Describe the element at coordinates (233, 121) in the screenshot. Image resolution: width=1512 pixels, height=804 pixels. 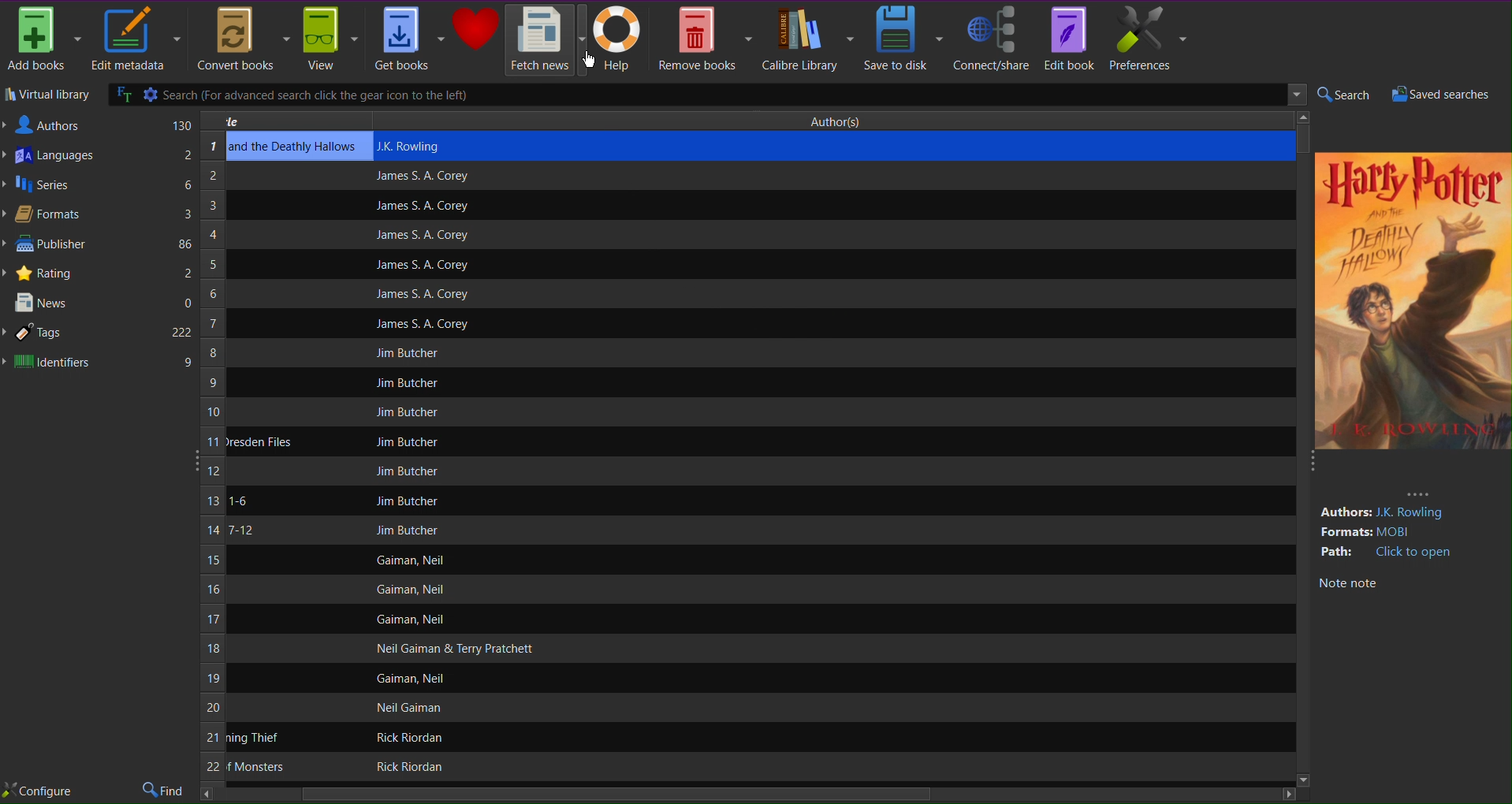
I see `` at that location.